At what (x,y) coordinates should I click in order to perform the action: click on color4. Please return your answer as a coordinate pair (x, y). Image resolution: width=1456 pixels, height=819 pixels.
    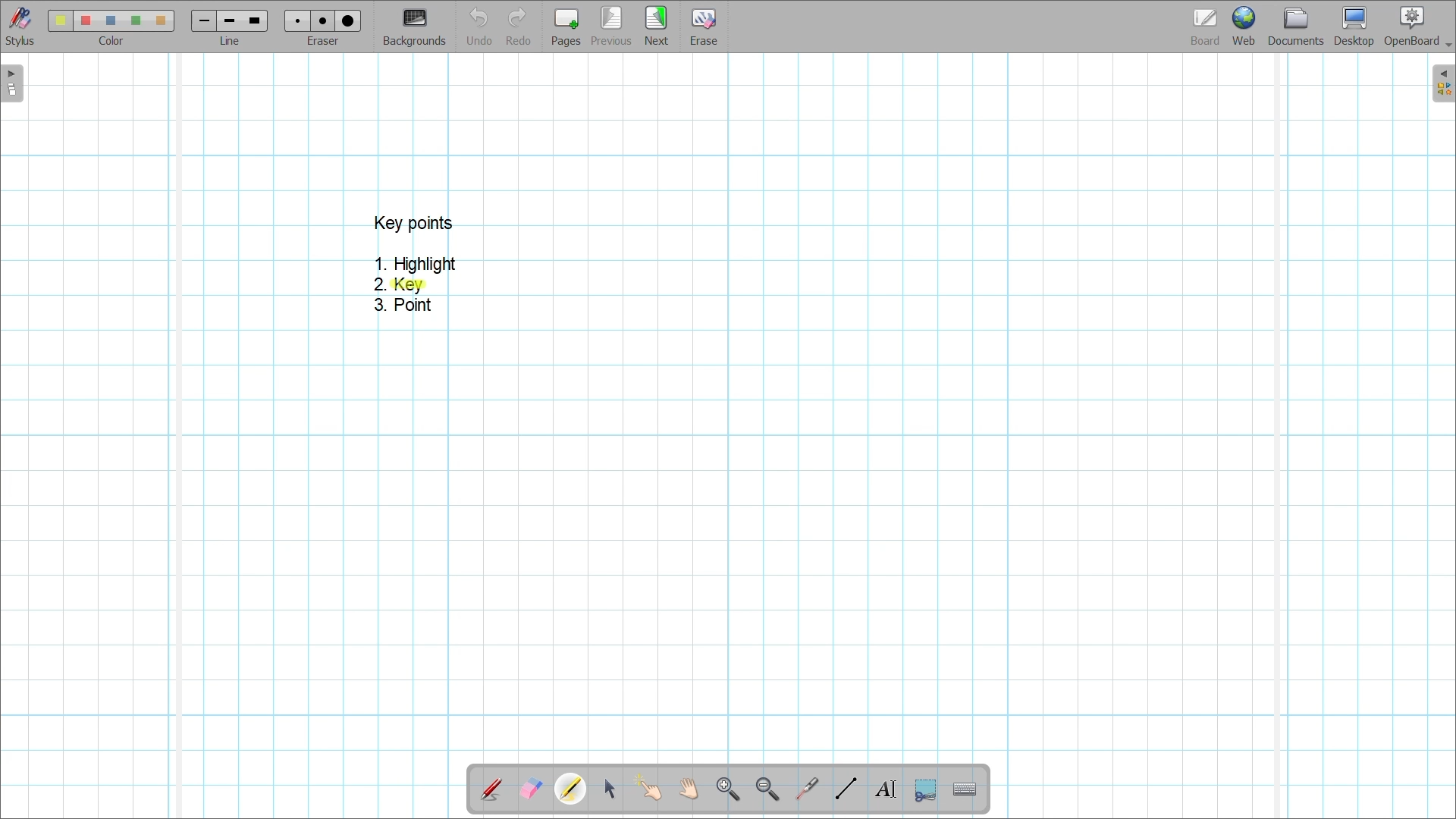
    Looking at the image, I should click on (135, 20).